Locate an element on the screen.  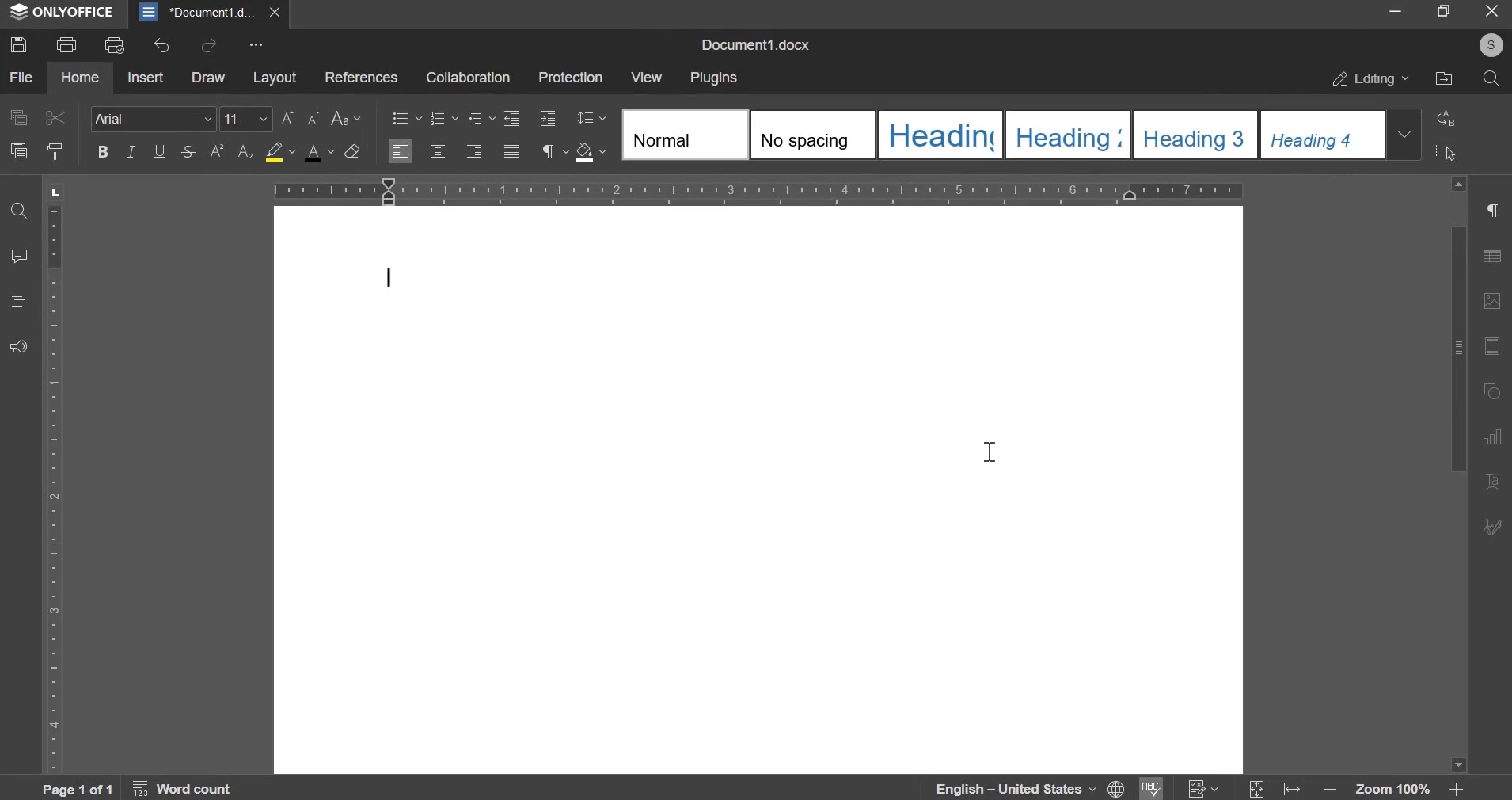
vertical scale is located at coordinates (56, 478).